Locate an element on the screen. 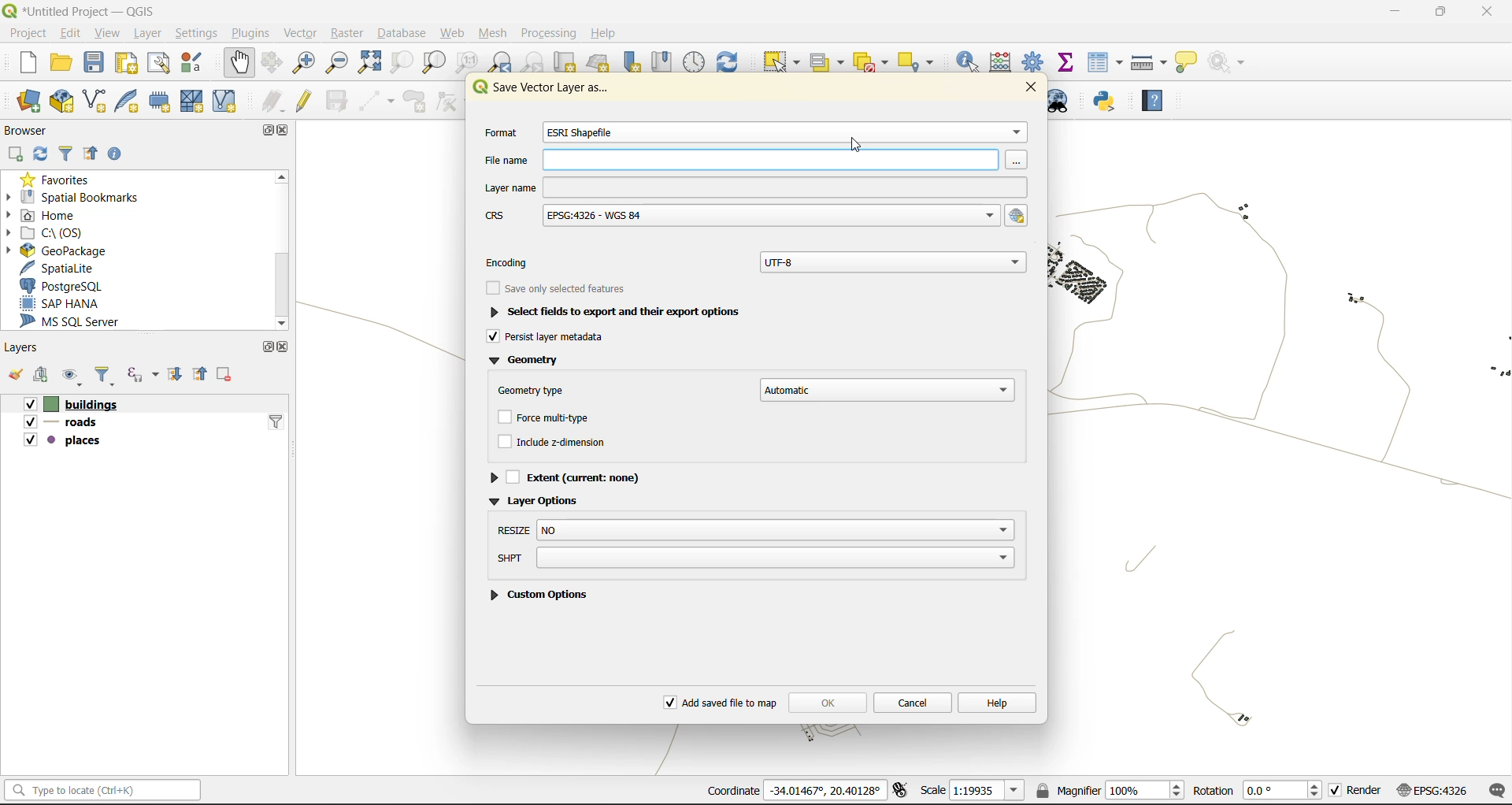 This screenshot has width=1512, height=805. help is located at coordinates (603, 32).